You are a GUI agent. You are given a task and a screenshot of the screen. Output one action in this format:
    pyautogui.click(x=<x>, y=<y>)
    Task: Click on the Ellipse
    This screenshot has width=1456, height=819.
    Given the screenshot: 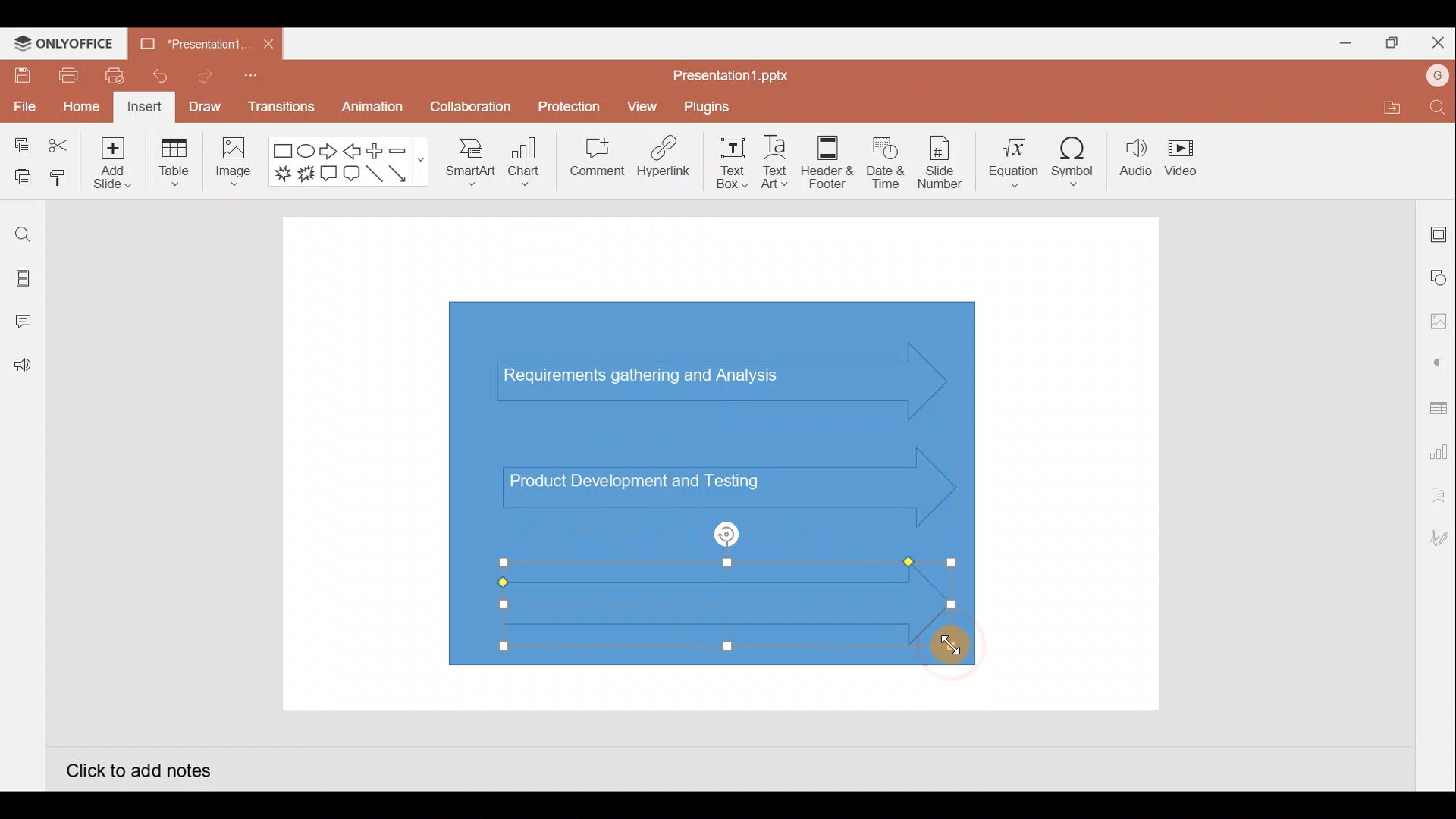 What is the action you would take?
    pyautogui.click(x=308, y=150)
    